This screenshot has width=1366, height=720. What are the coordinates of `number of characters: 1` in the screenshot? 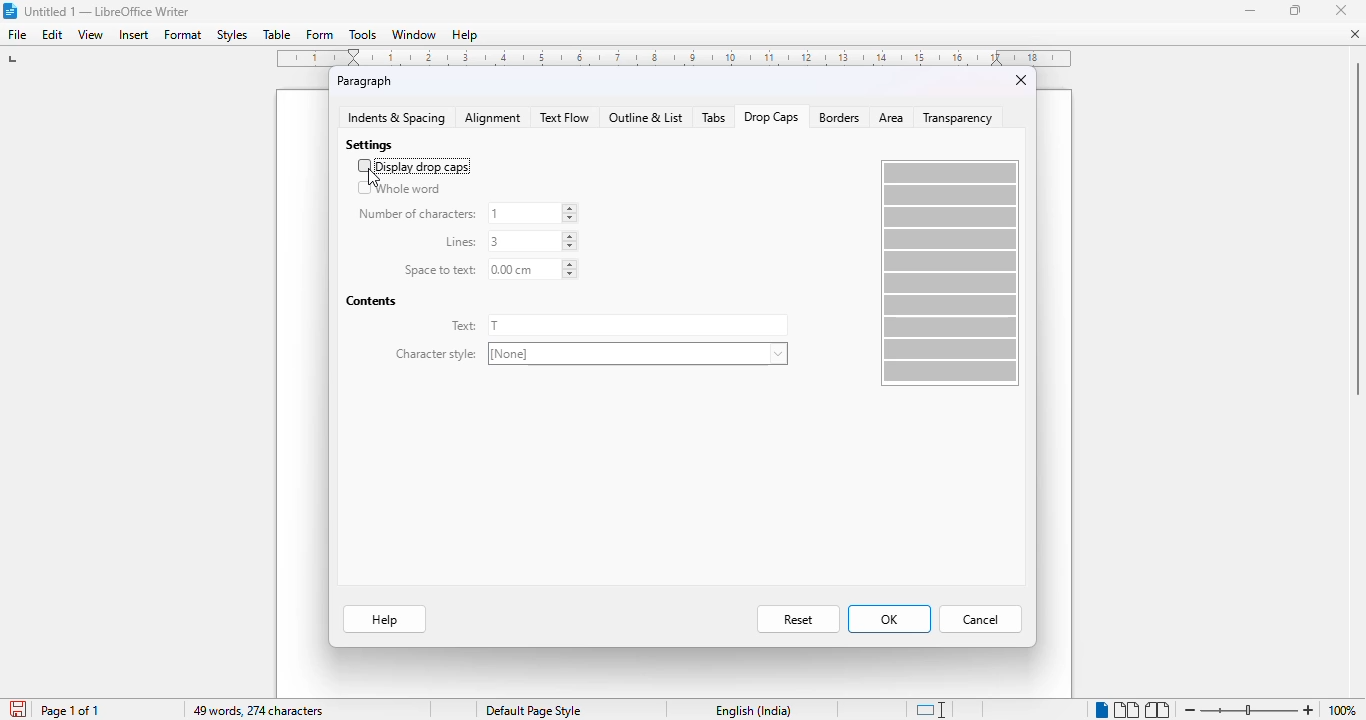 It's located at (465, 212).